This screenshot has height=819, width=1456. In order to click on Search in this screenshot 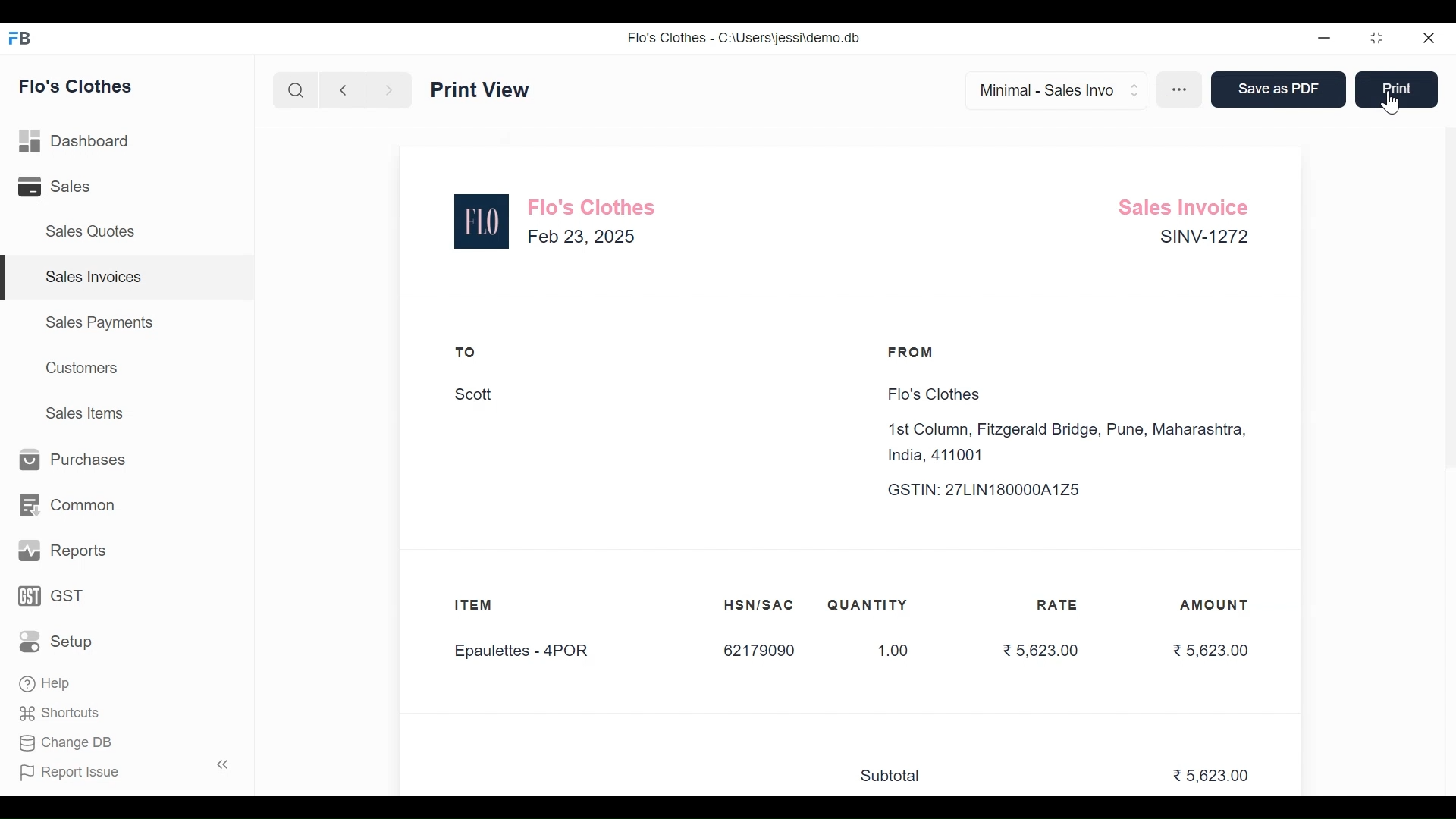, I will do `click(297, 90)`.